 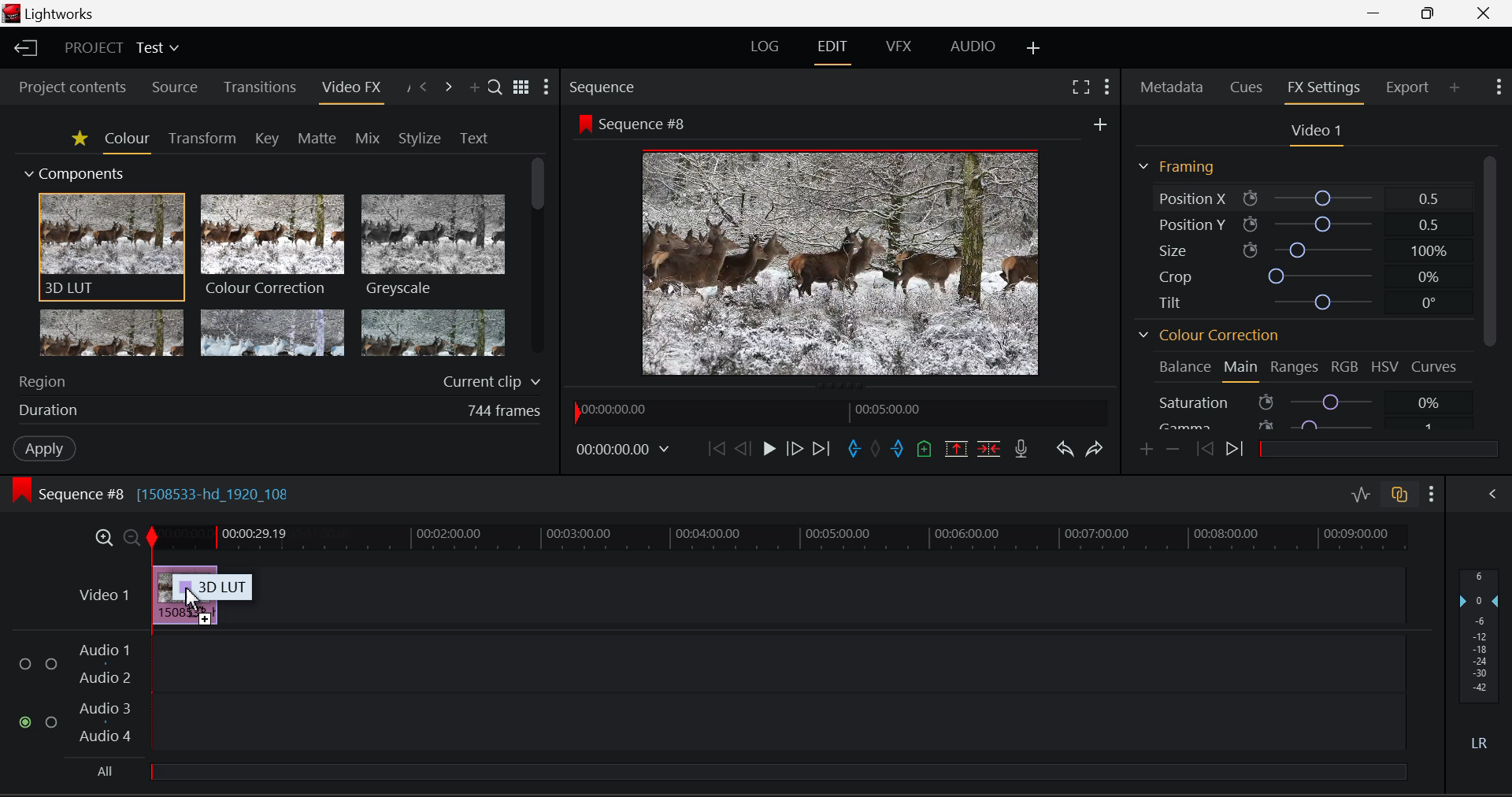 What do you see at coordinates (1145, 451) in the screenshot?
I see `Add keyframe` at bounding box center [1145, 451].